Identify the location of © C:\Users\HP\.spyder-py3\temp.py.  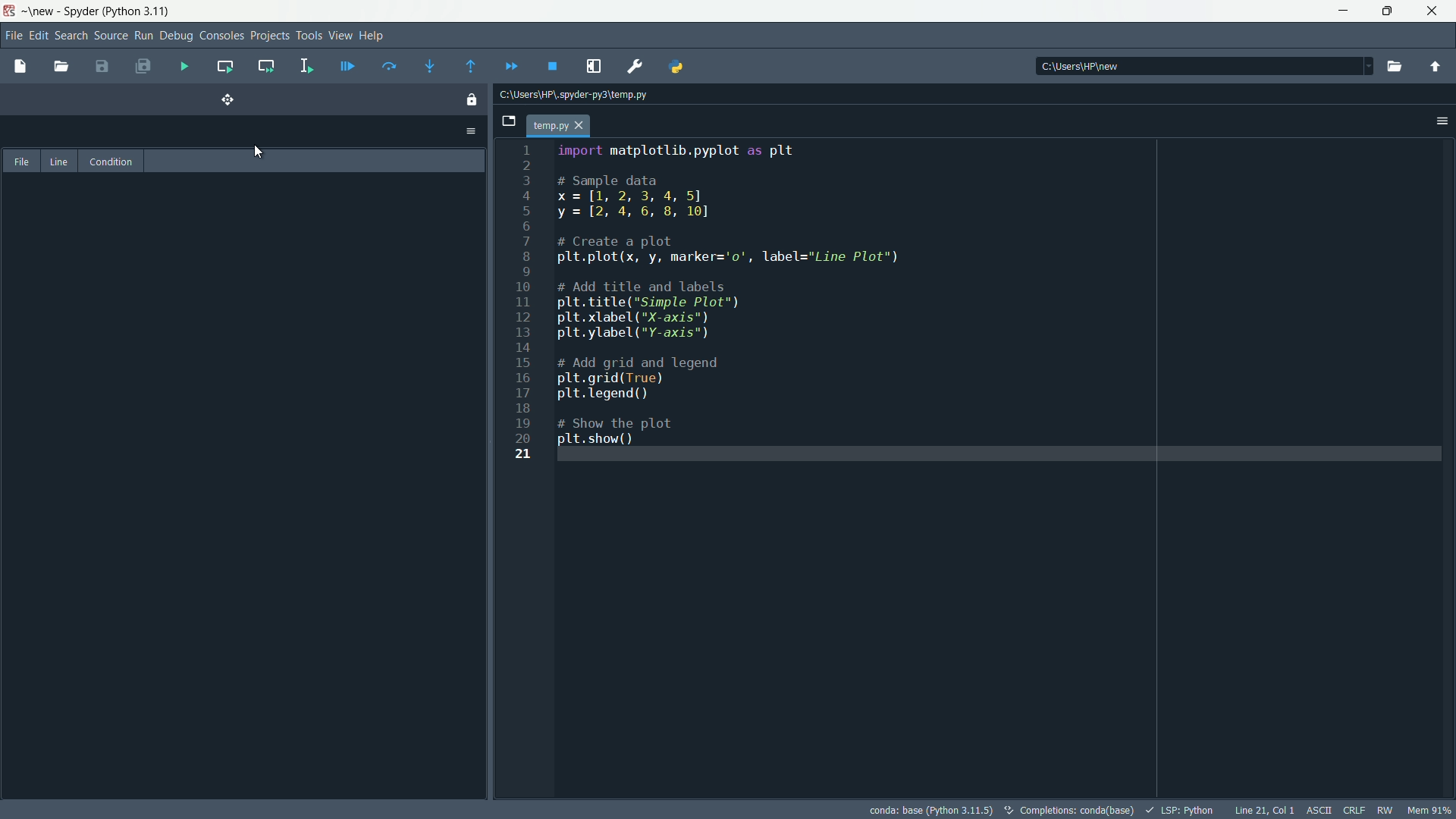
(591, 95).